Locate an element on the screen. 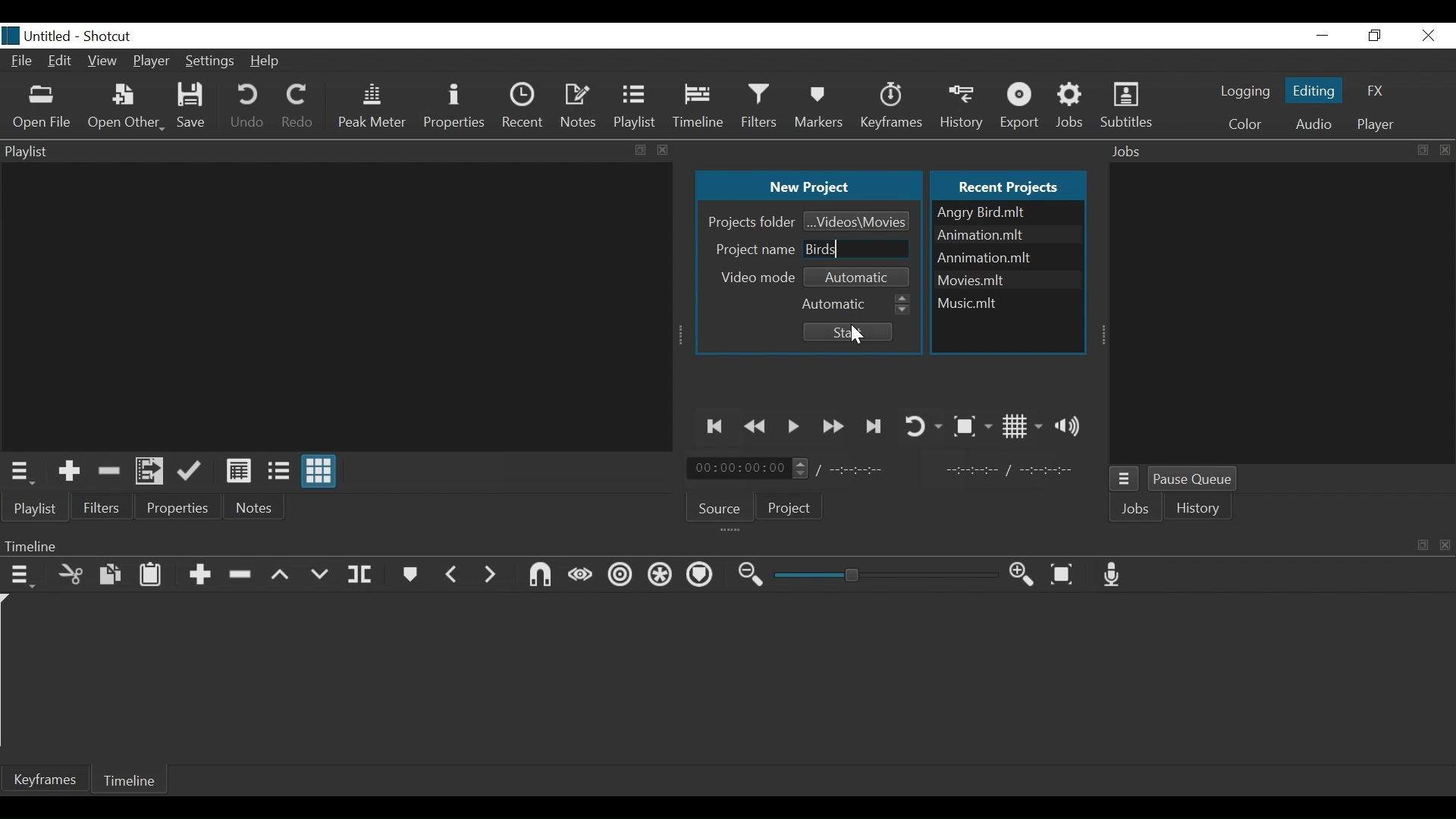  Ripple all tracks is located at coordinates (661, 576).